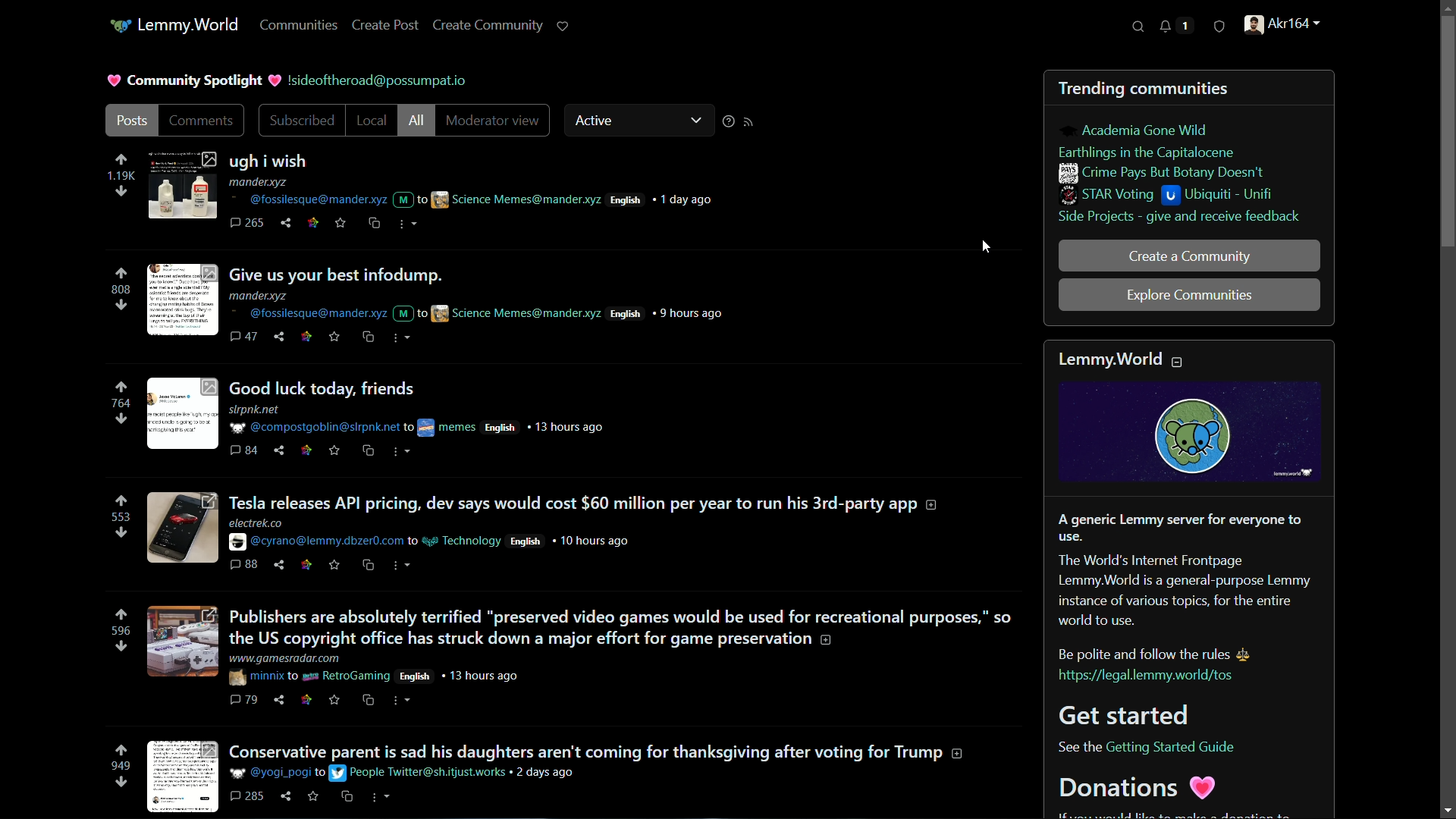  What do you see at coordinates (327, 388) in the screenshot?
I see `good luck today, friends` at bounding box center [327, 388].